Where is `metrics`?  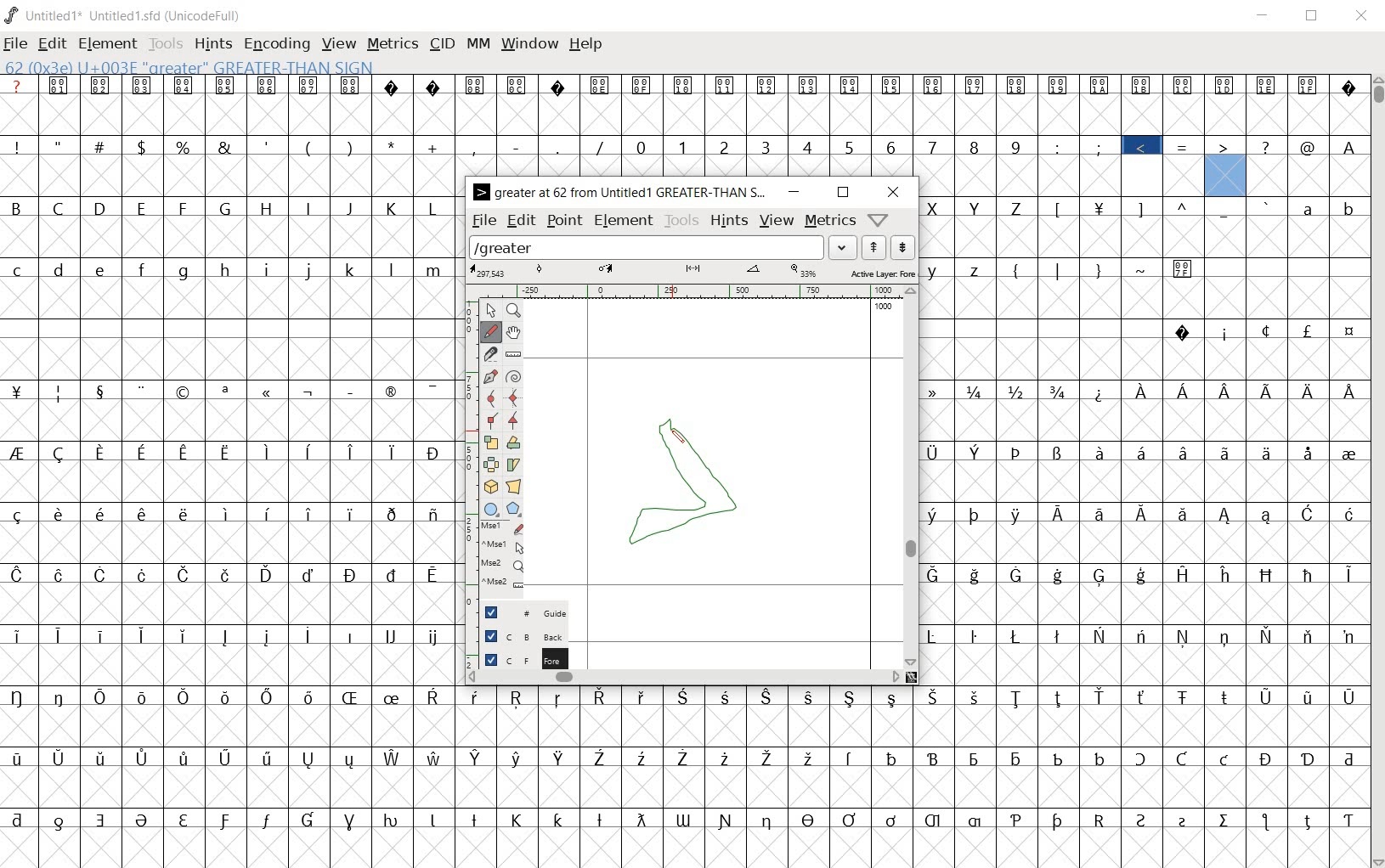 metrics is located at coordinates (394, 45).